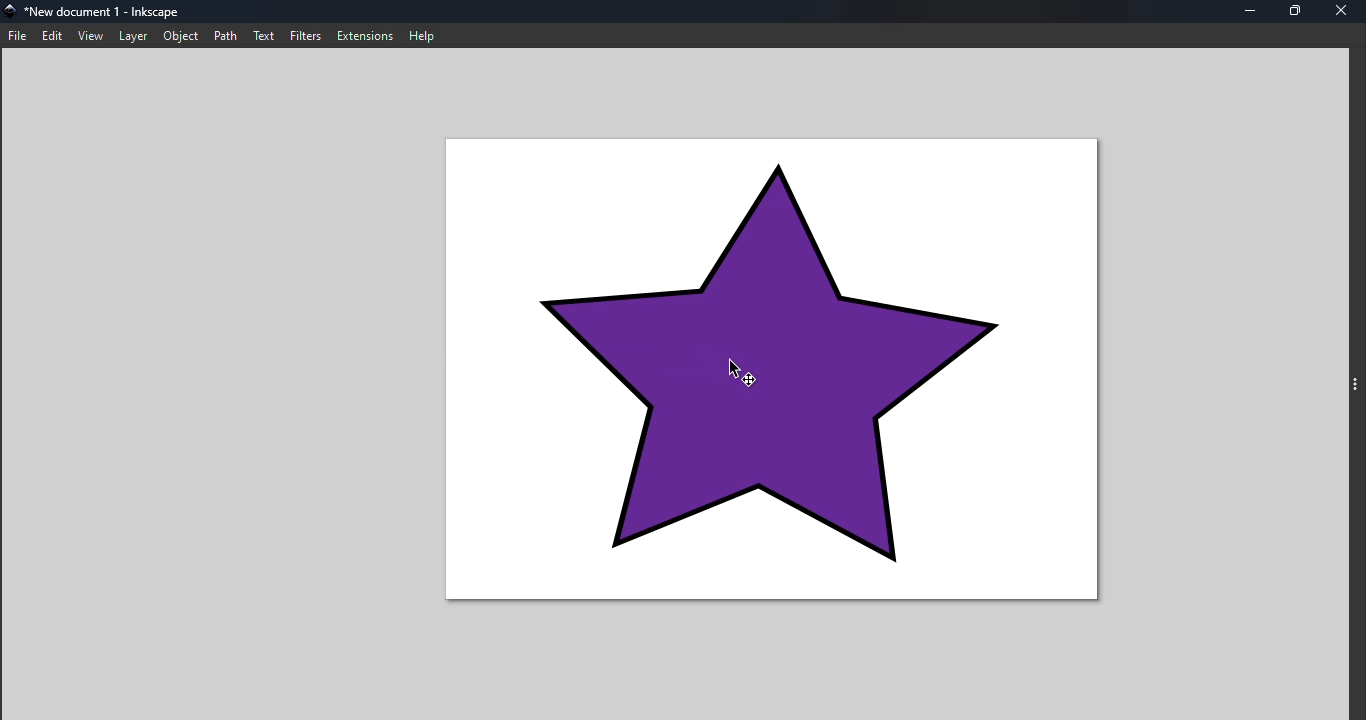 This screenshot has height=720, width=1366. I want to click on Canvas, so click(787, 372).